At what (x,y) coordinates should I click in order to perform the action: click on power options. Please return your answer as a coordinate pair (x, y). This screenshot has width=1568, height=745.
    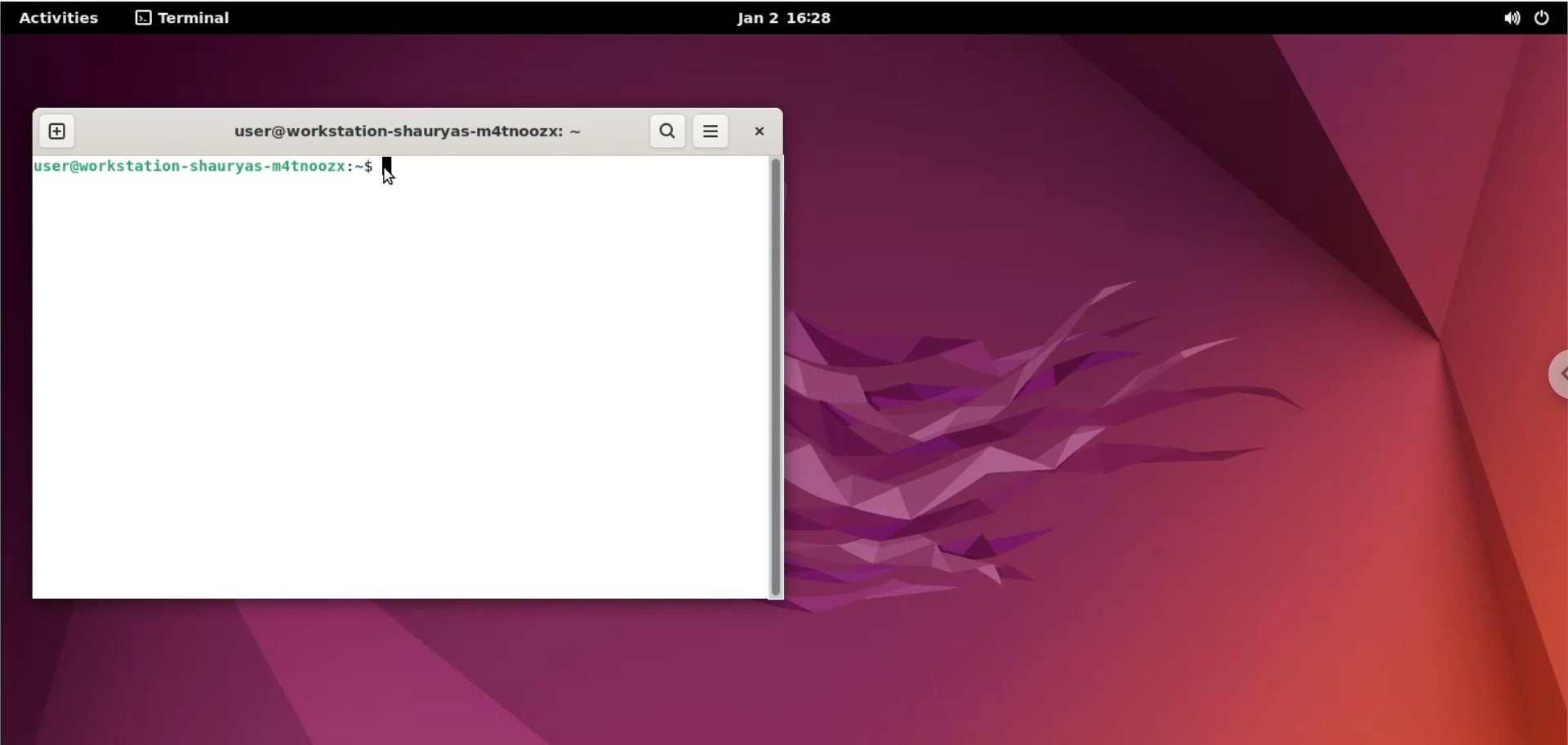
    Looking at the image, I should click on (1546, 19).